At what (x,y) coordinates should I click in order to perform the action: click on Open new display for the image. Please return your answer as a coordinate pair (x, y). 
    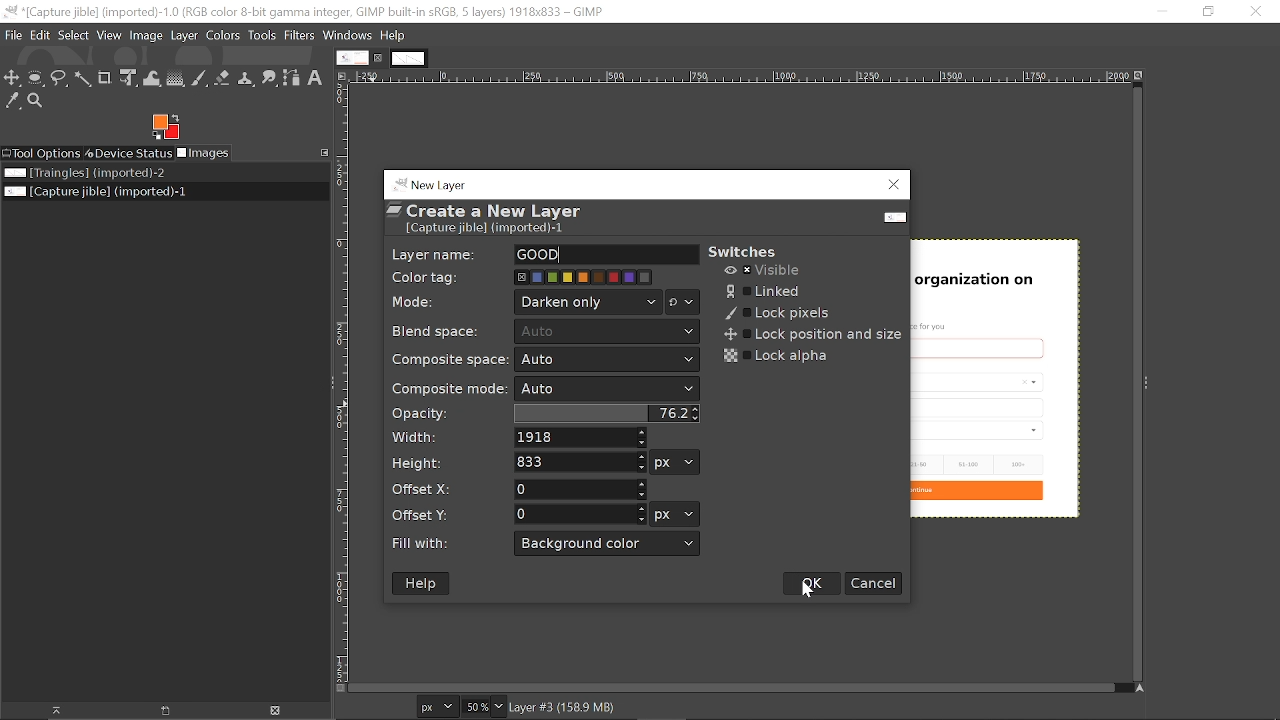
    Looking at the image, I should click on (158, 710).